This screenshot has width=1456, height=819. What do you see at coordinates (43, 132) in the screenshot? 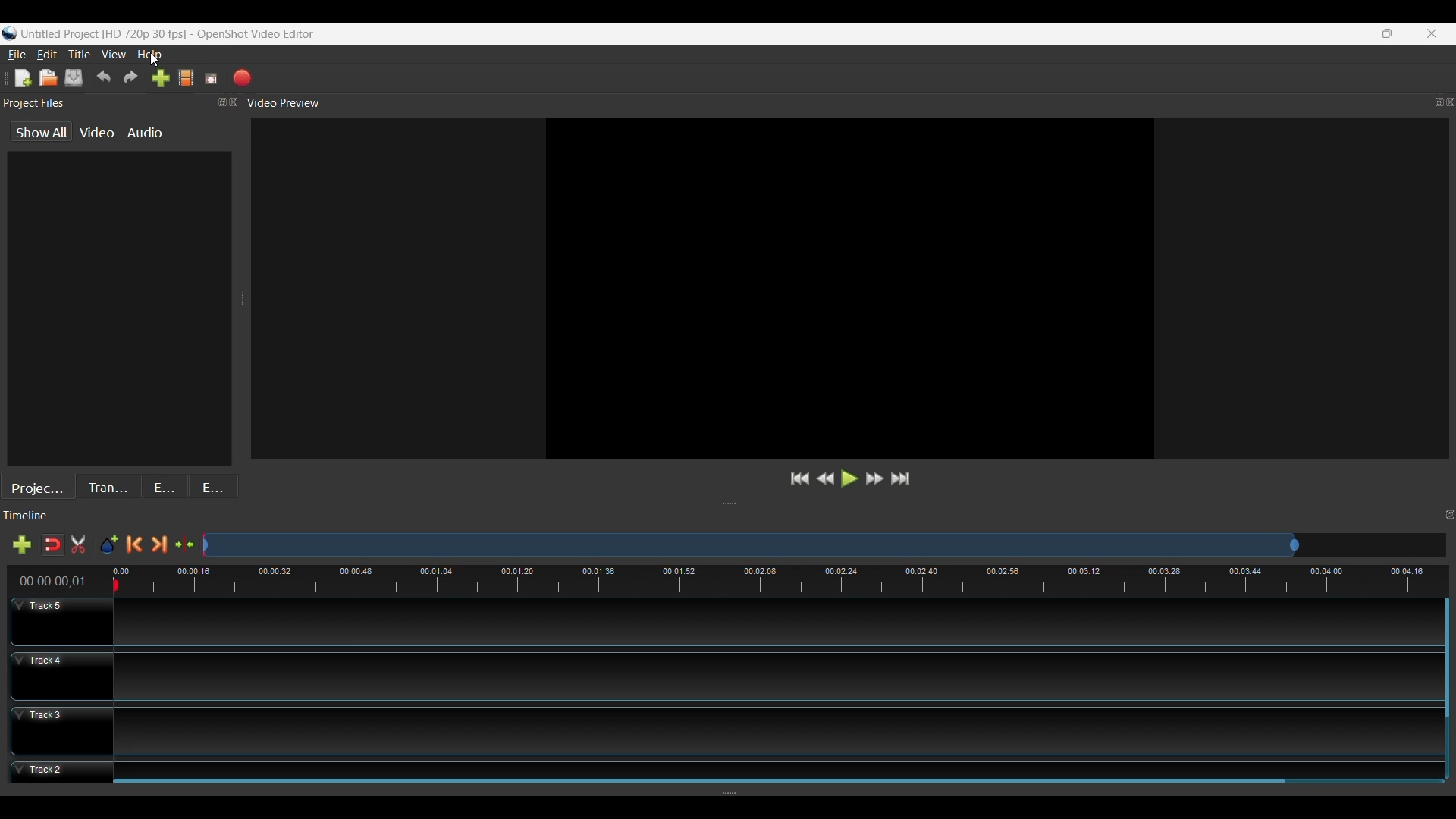
I see `Showall` at bounding box center [43, 132].